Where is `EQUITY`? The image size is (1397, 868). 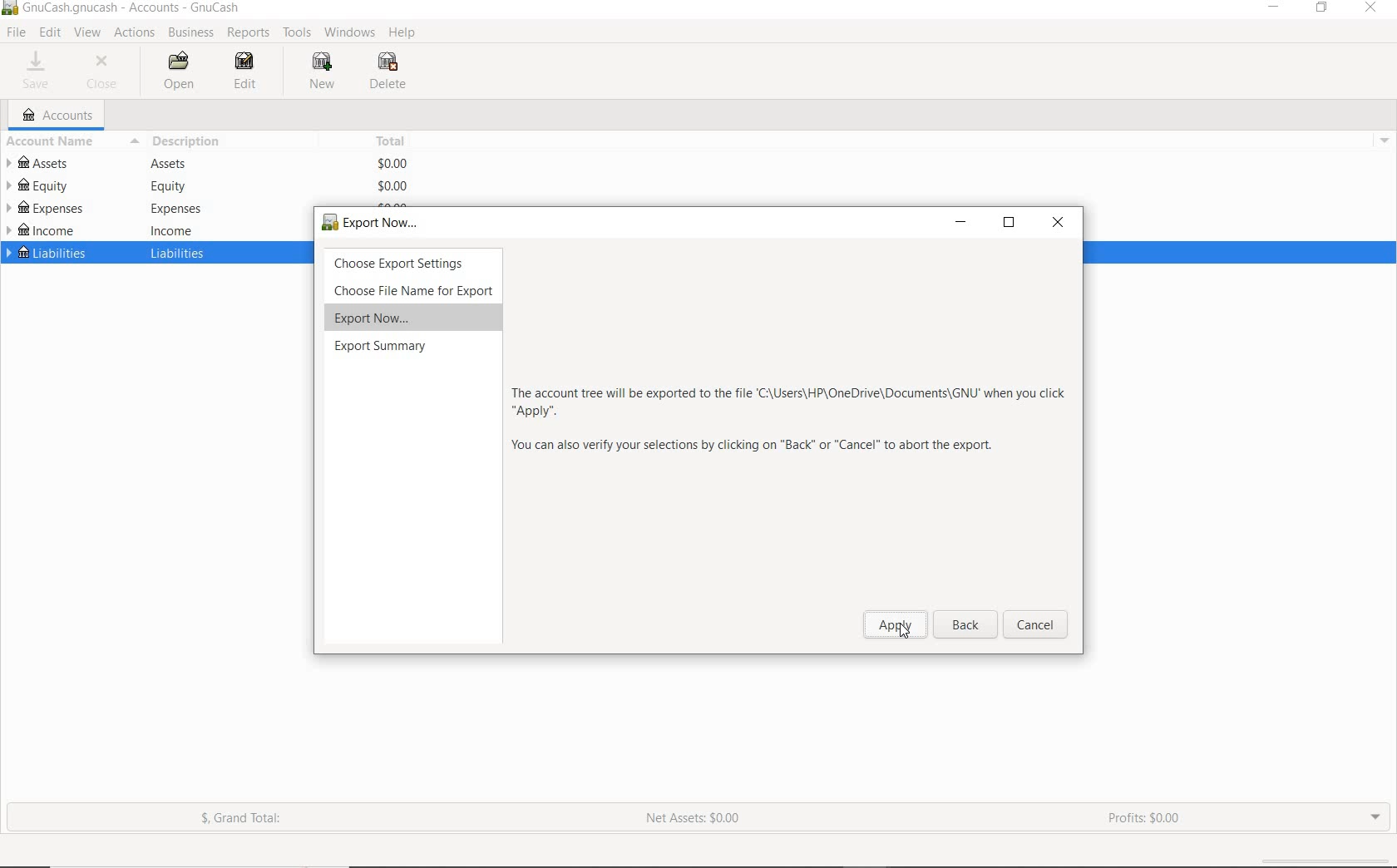 EQUITY is located at coordinates (43, 185).